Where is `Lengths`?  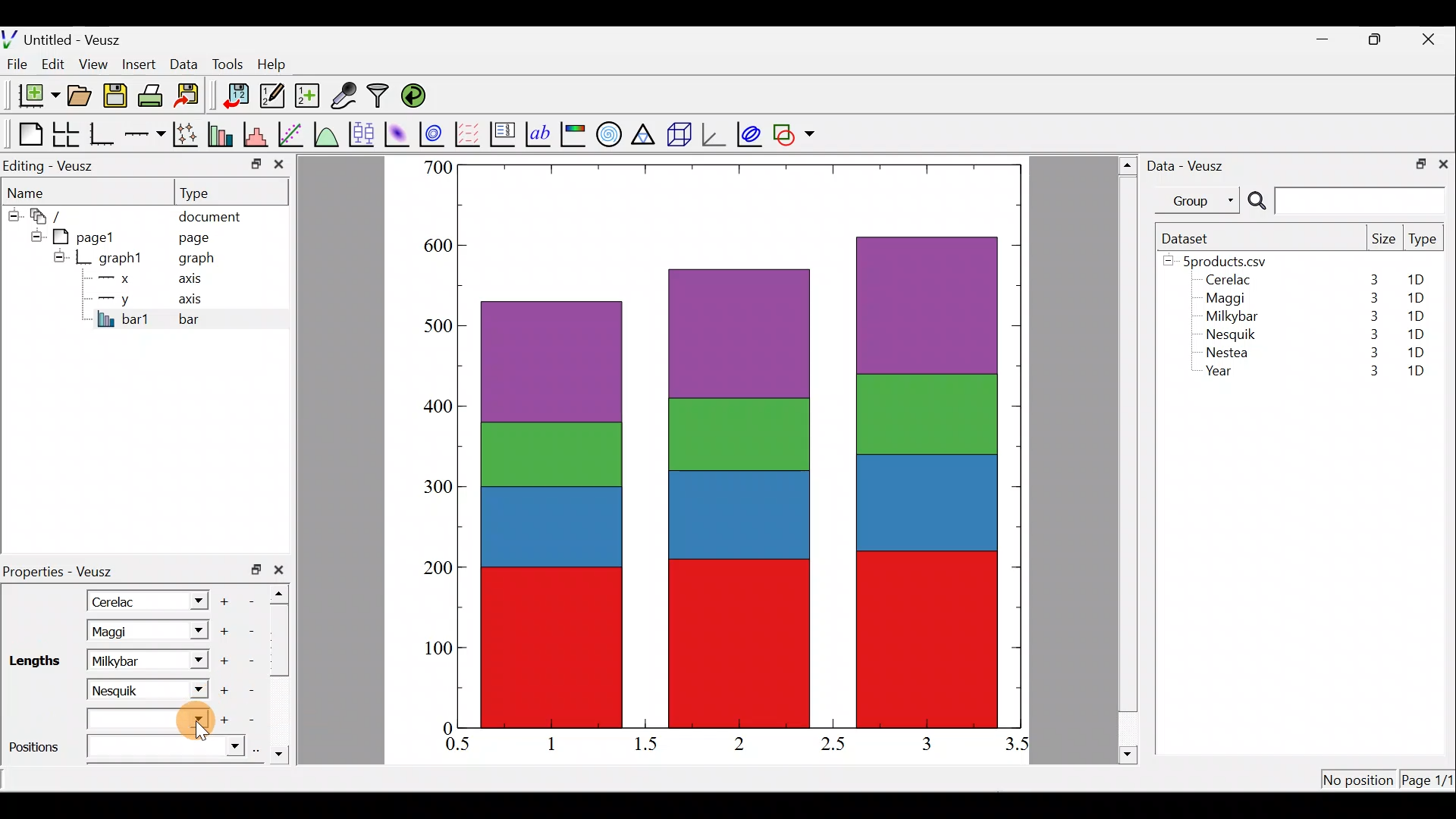
Lengths is located at coordinates (36, 660).